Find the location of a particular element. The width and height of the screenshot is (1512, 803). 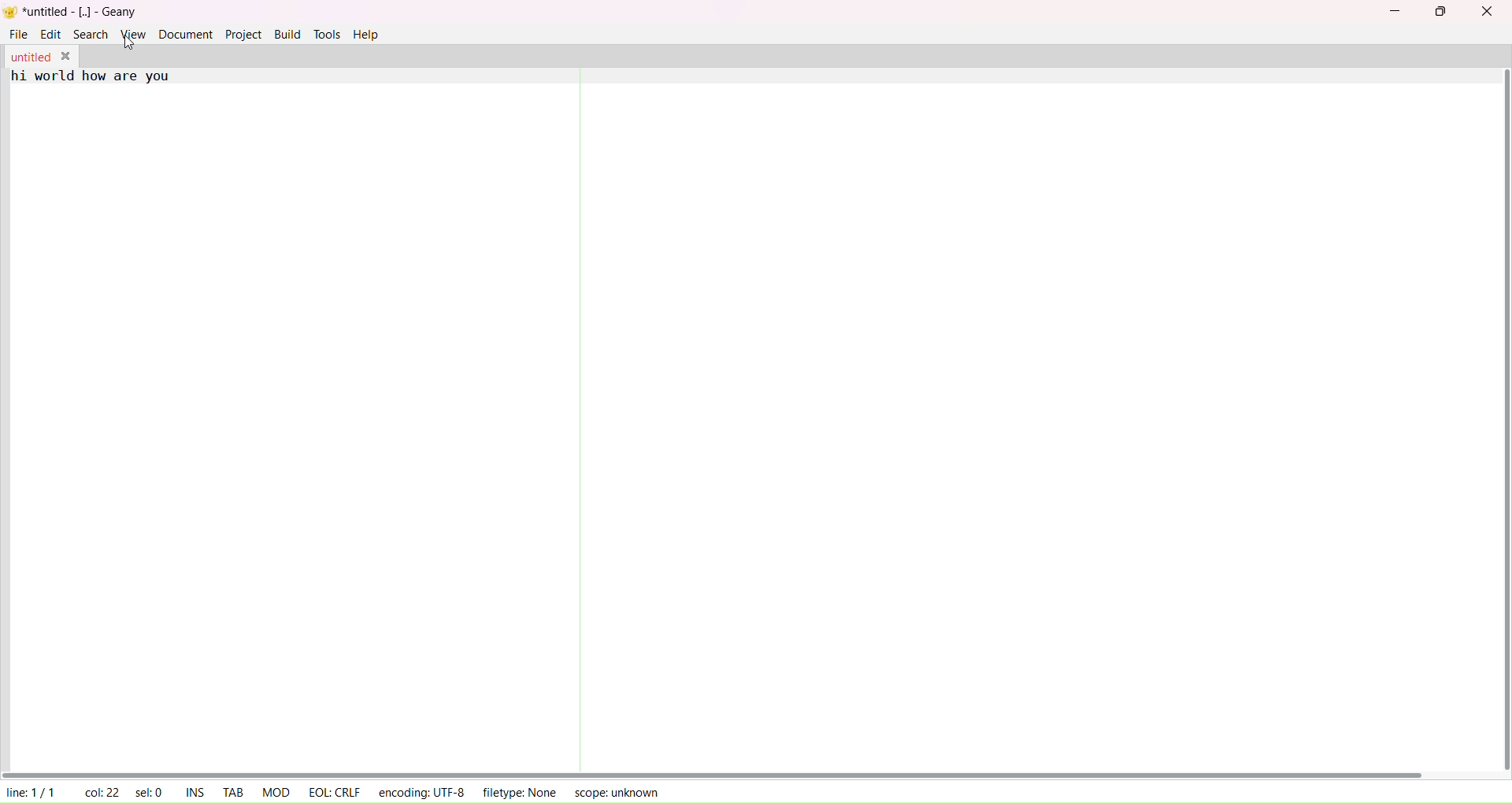

document is located at coordinates (185, 32).